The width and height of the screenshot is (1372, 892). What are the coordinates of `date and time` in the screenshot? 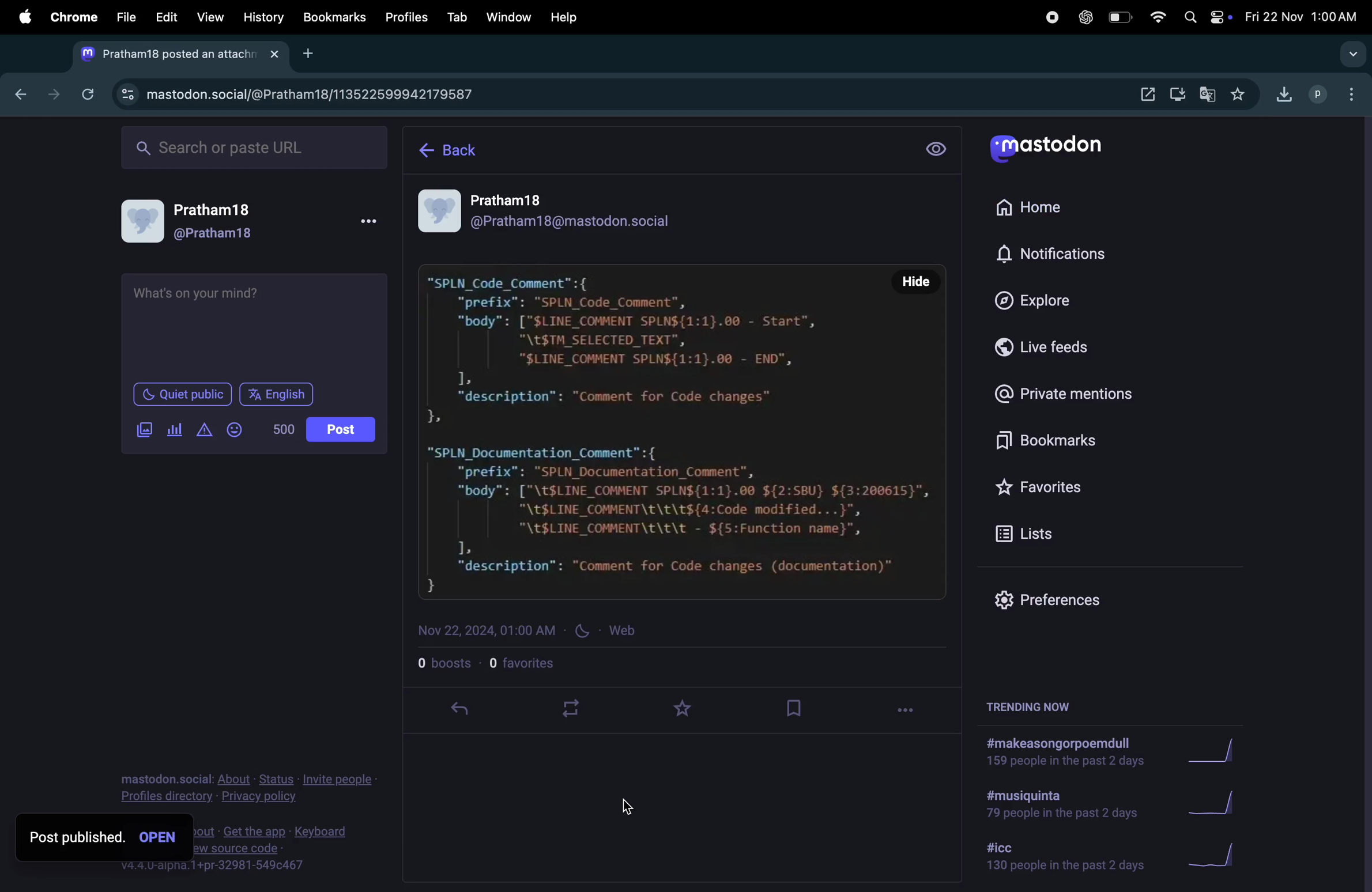 It's located at (530, 634).